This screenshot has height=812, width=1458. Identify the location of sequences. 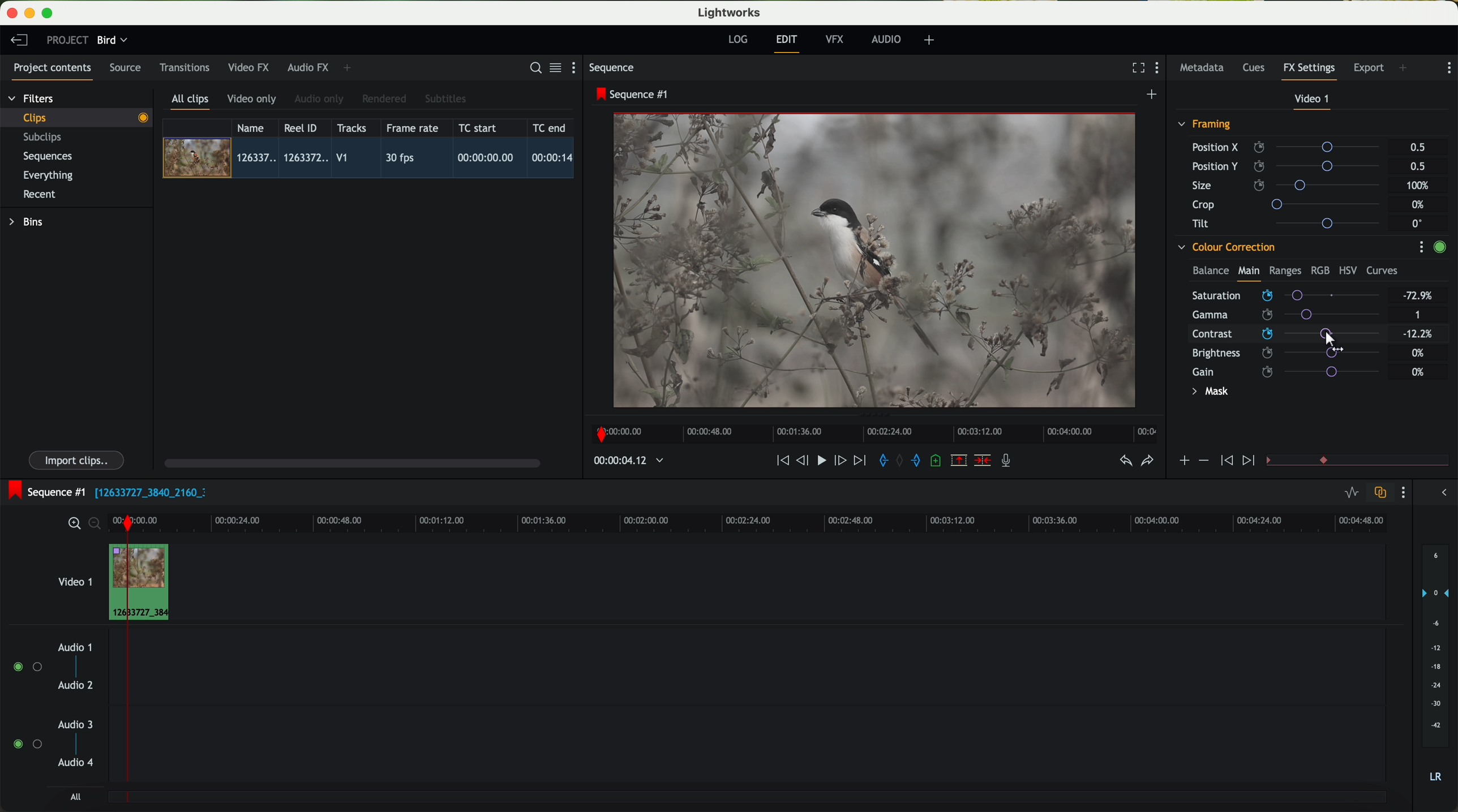
(48, 157).